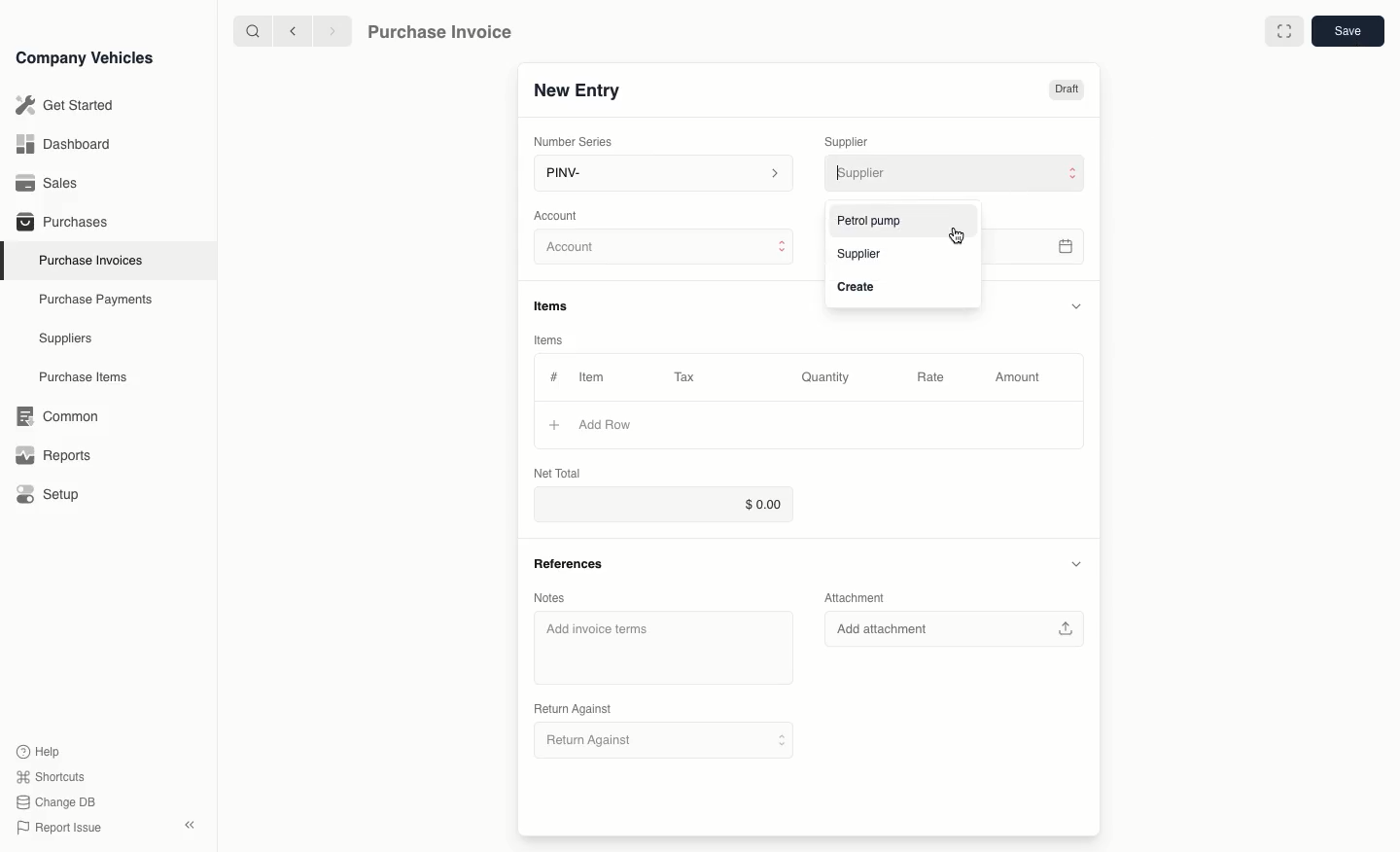 This screenshot has width=1400, height=852. Describe the element at coordinates (57, 224) in the screenshot. I see `Purchases` at that location.